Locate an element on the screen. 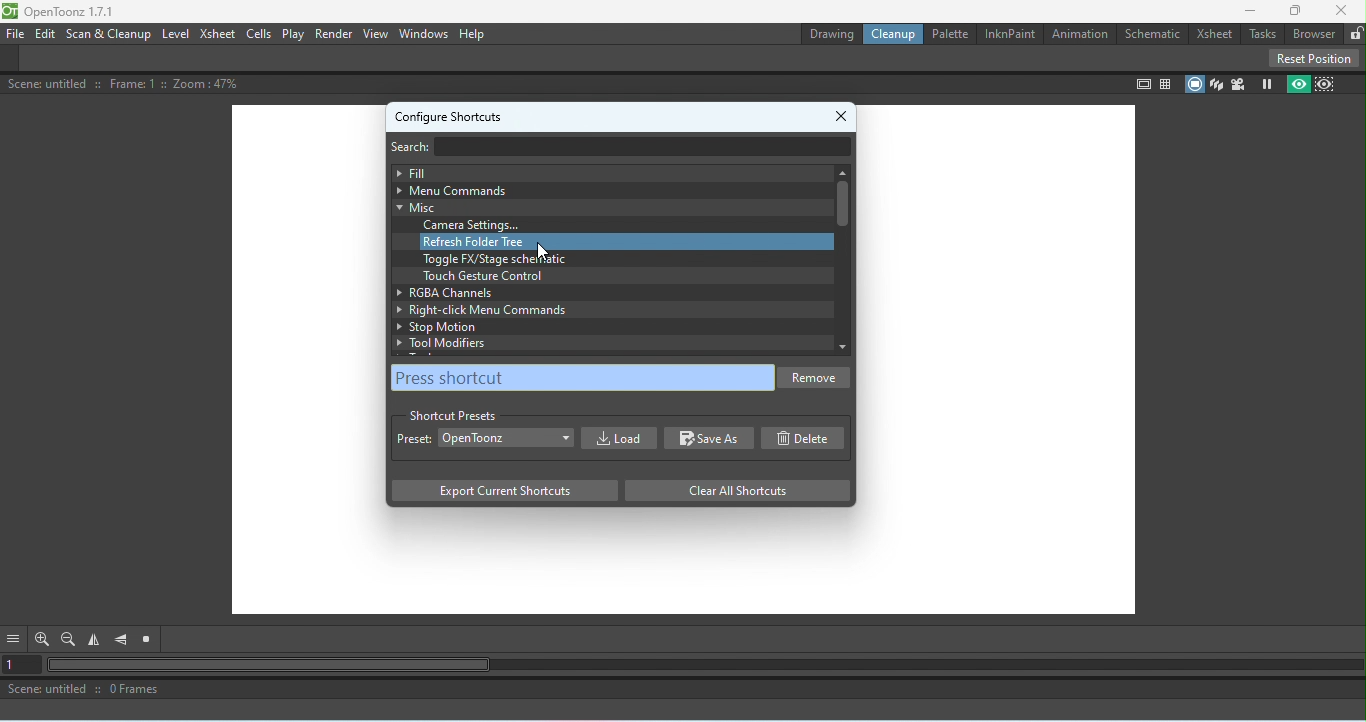 The height and width of the screenshot is (722, 1366). Xsheet is located at coordinates (218, 34).